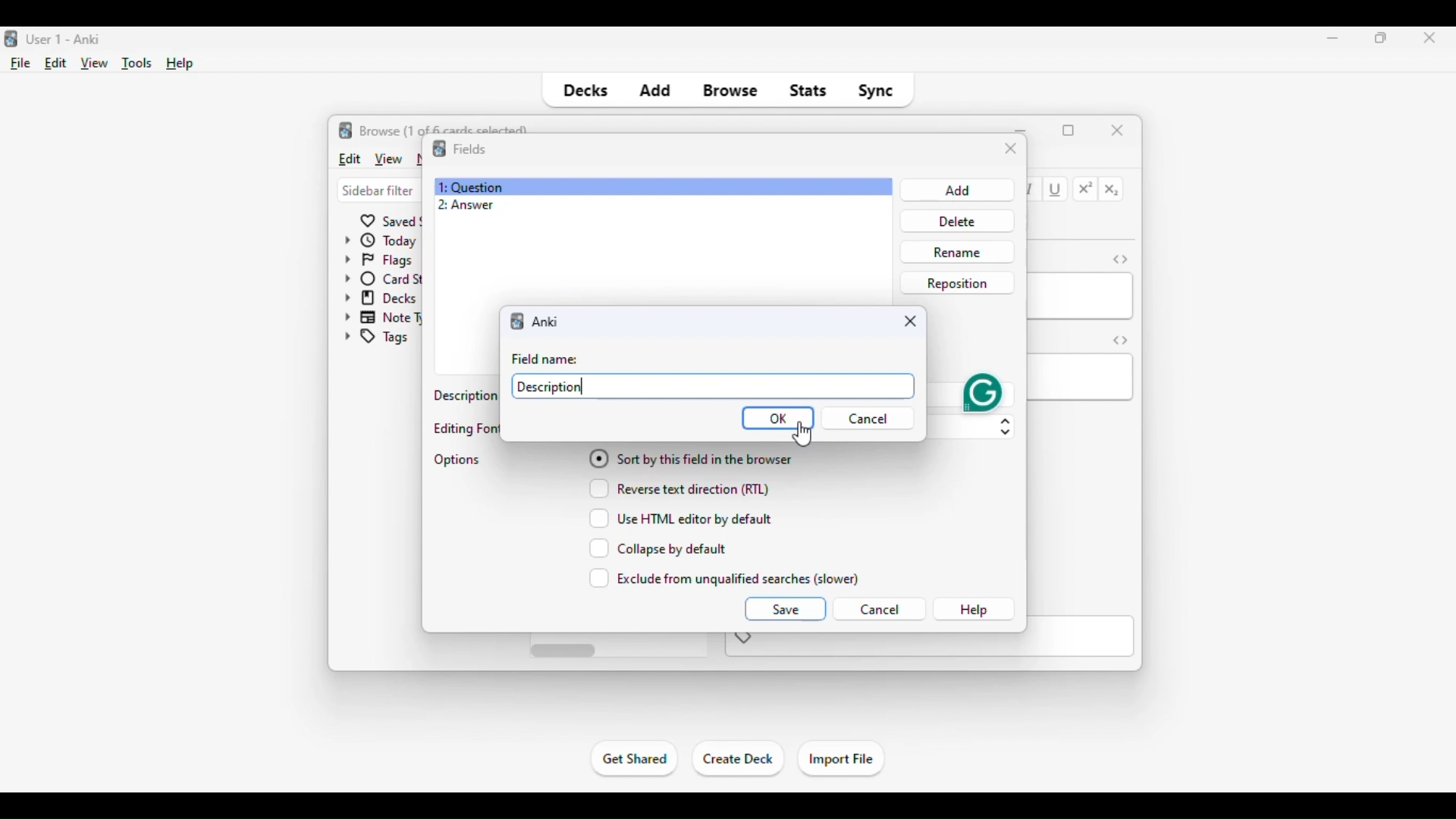  What do you see at coordinates (21, 64) in the screenshot?
I see `file` at bounding box center [21, 64].